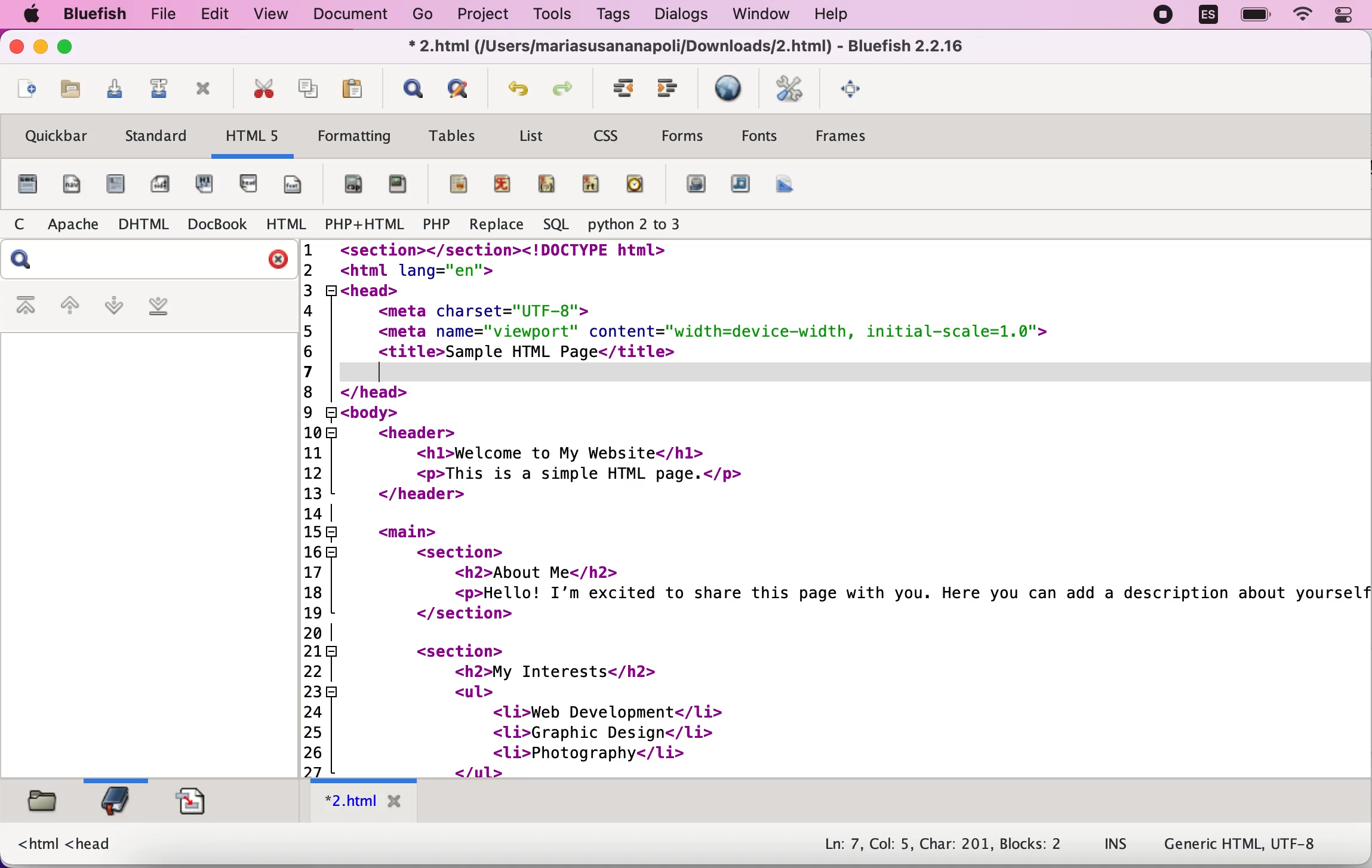 The width and height of the screenshot is (1372, 868). Describe the element at coordinates (760, 14) in the screenshot. I see `window` at that location.